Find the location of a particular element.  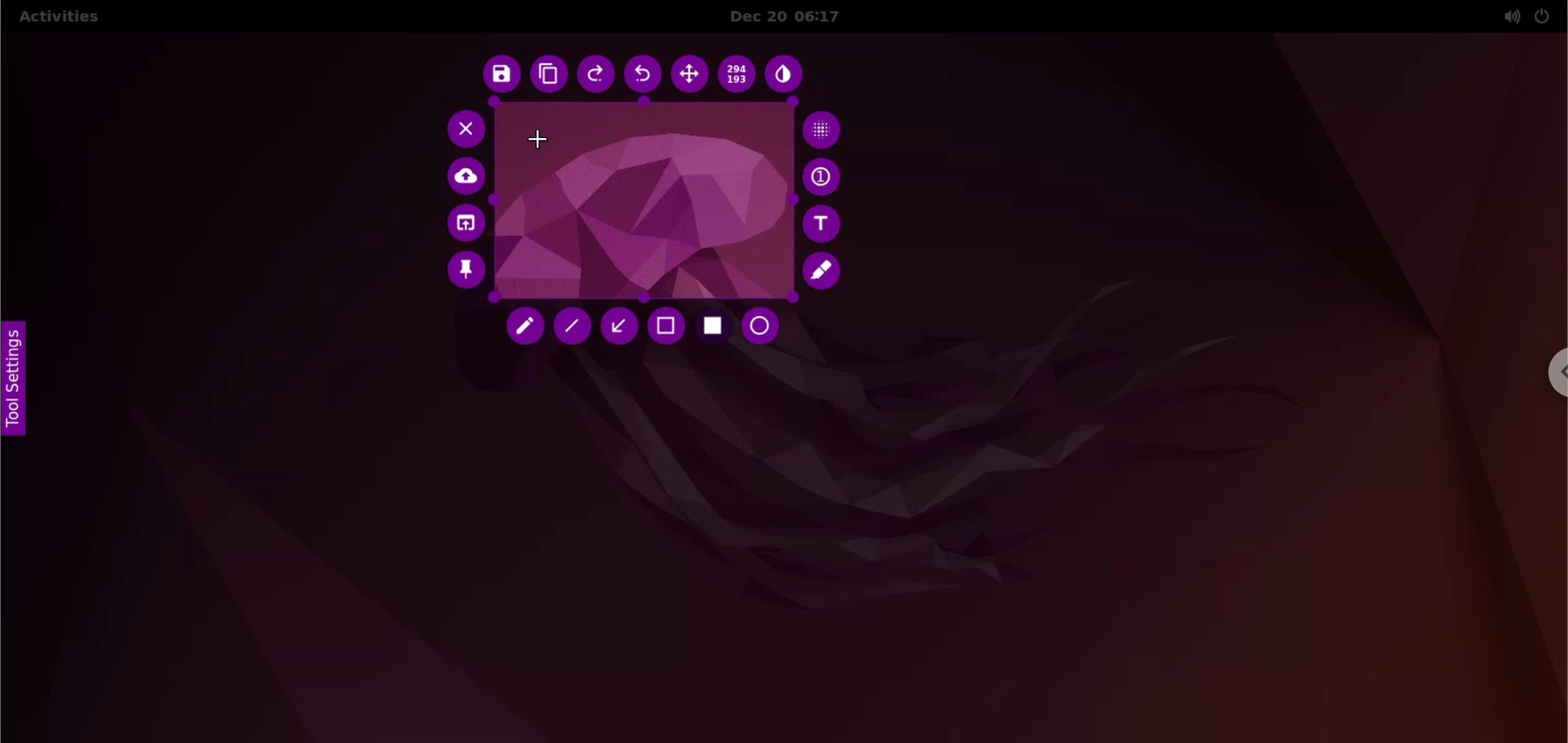

choose app to open is located at coordinates (464, 225).